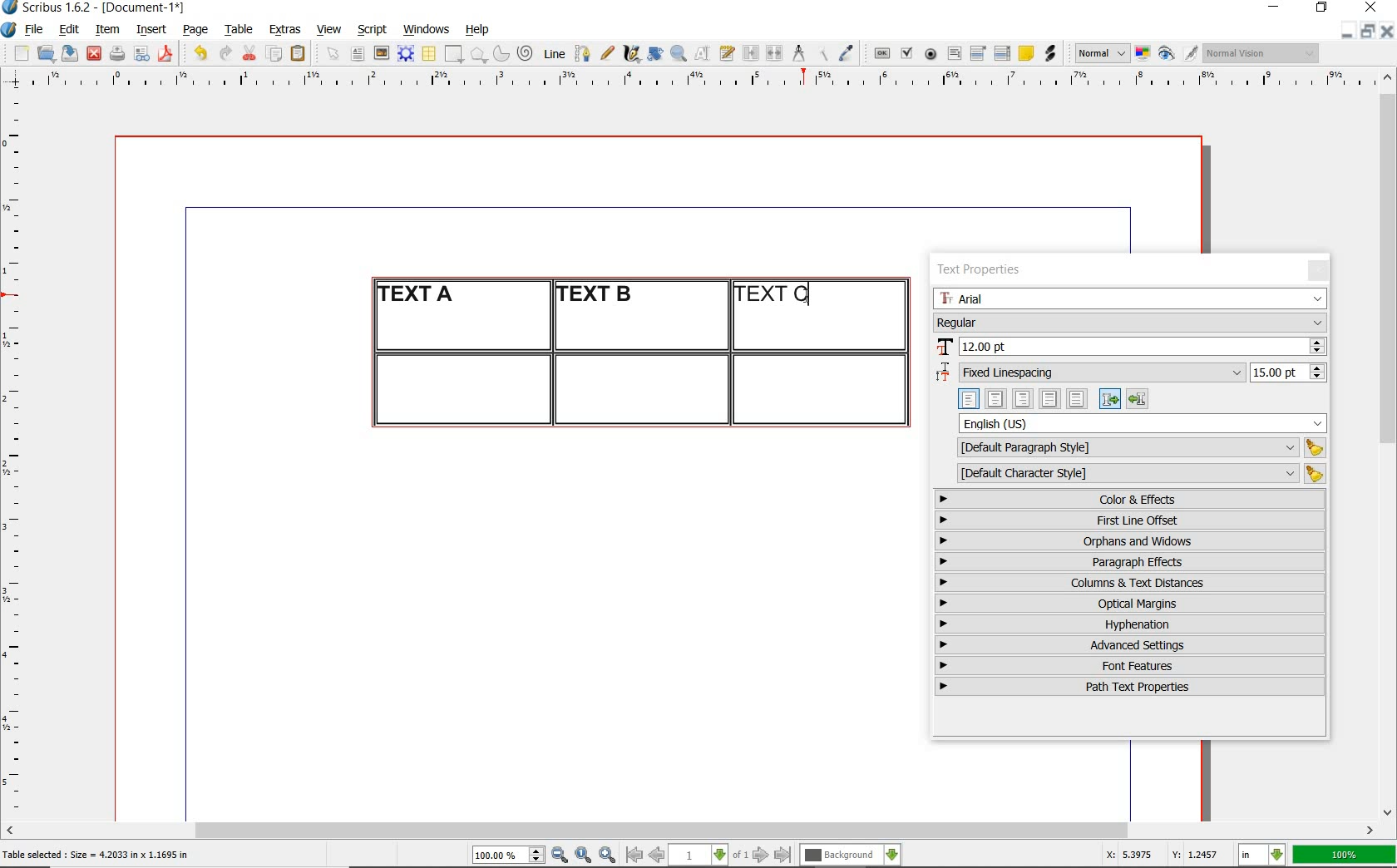 This screenshot has height=868, width=1397. Describe the element at coordinates (690, 832) in the screenshot. I see `scrollbar` at that location.